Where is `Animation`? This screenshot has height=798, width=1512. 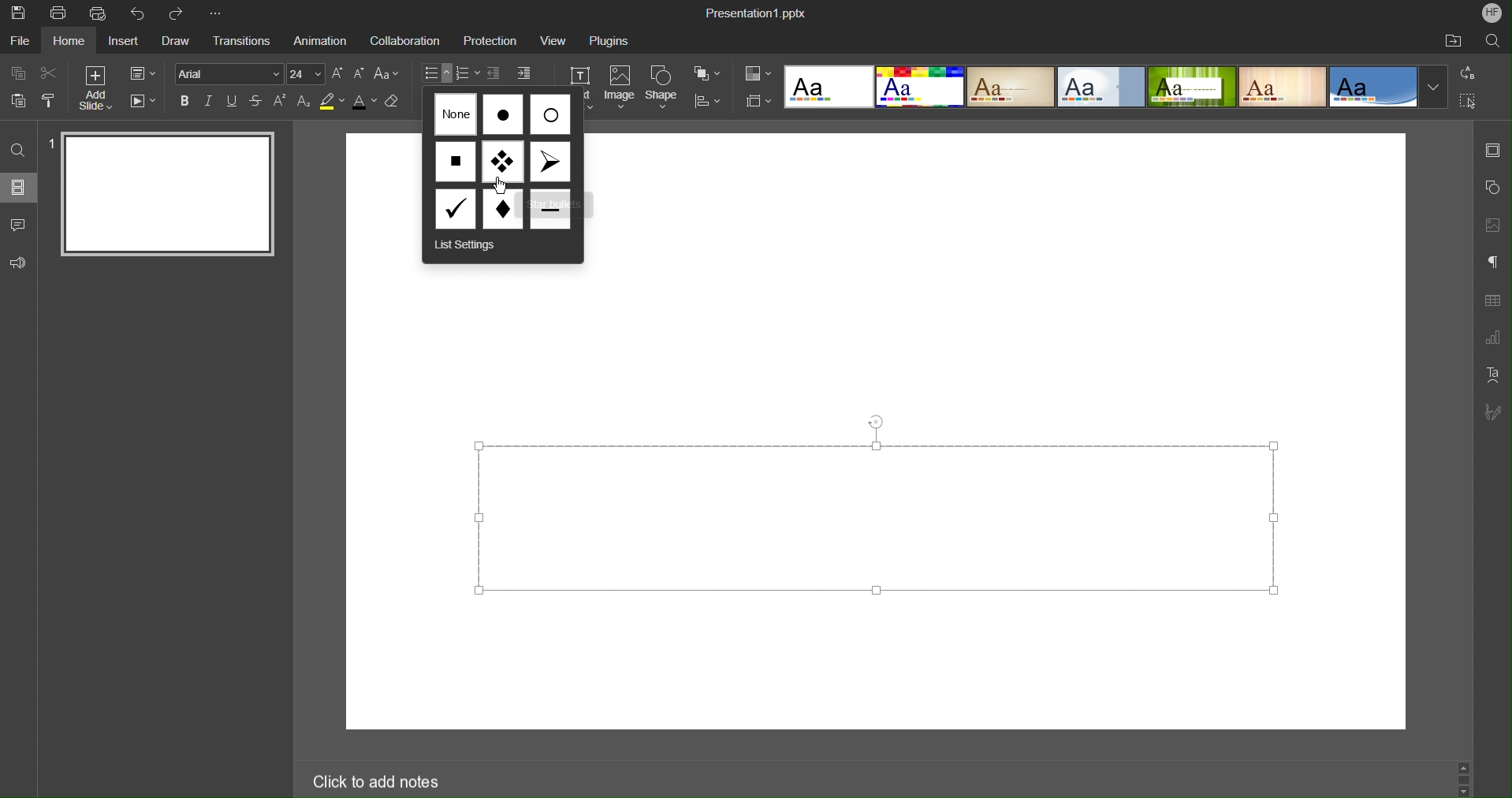
Animation is located at coordinates (318, 41).